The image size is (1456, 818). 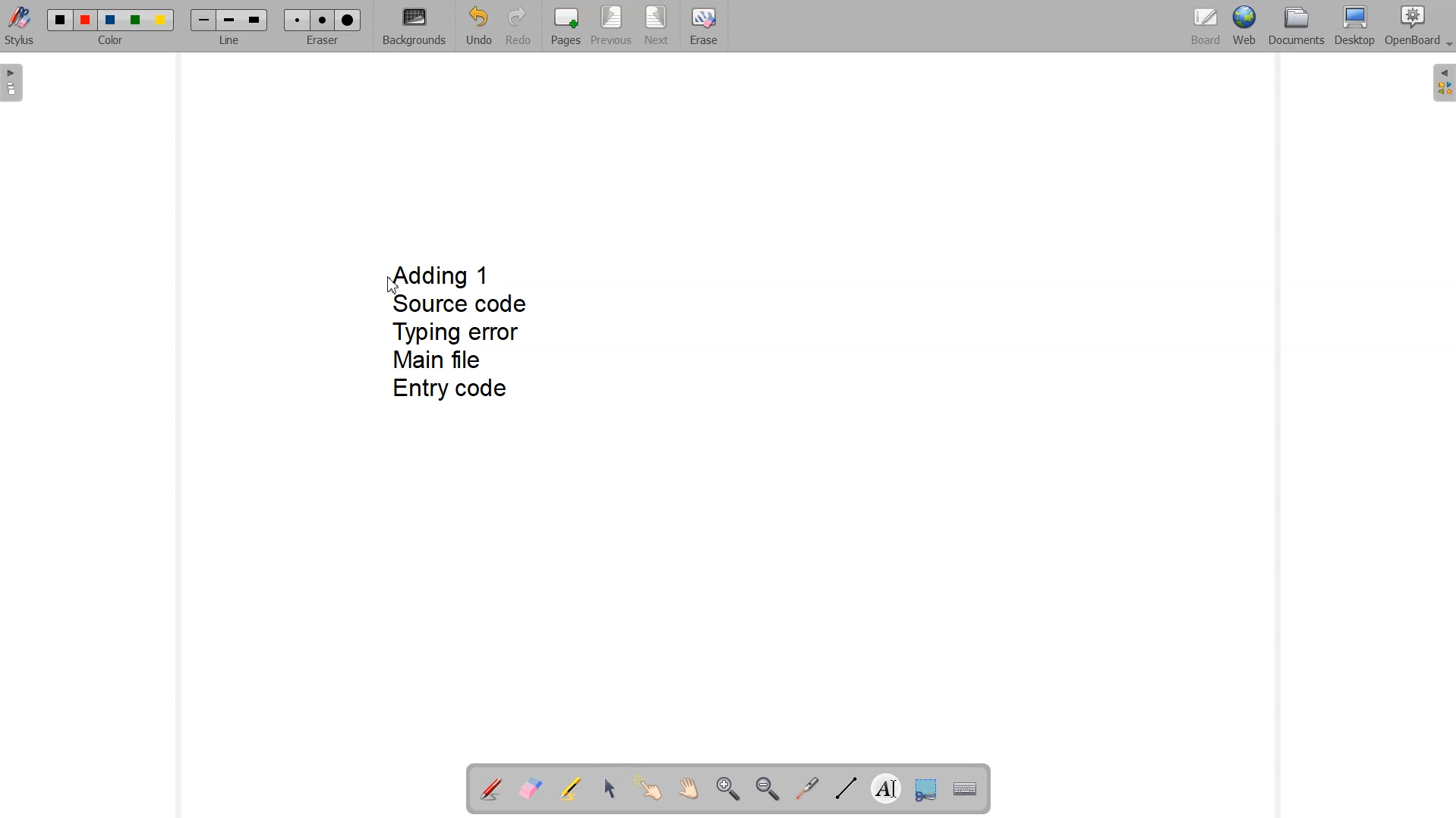 I want to click on Select and modify objects, so click(x=610, y=788).